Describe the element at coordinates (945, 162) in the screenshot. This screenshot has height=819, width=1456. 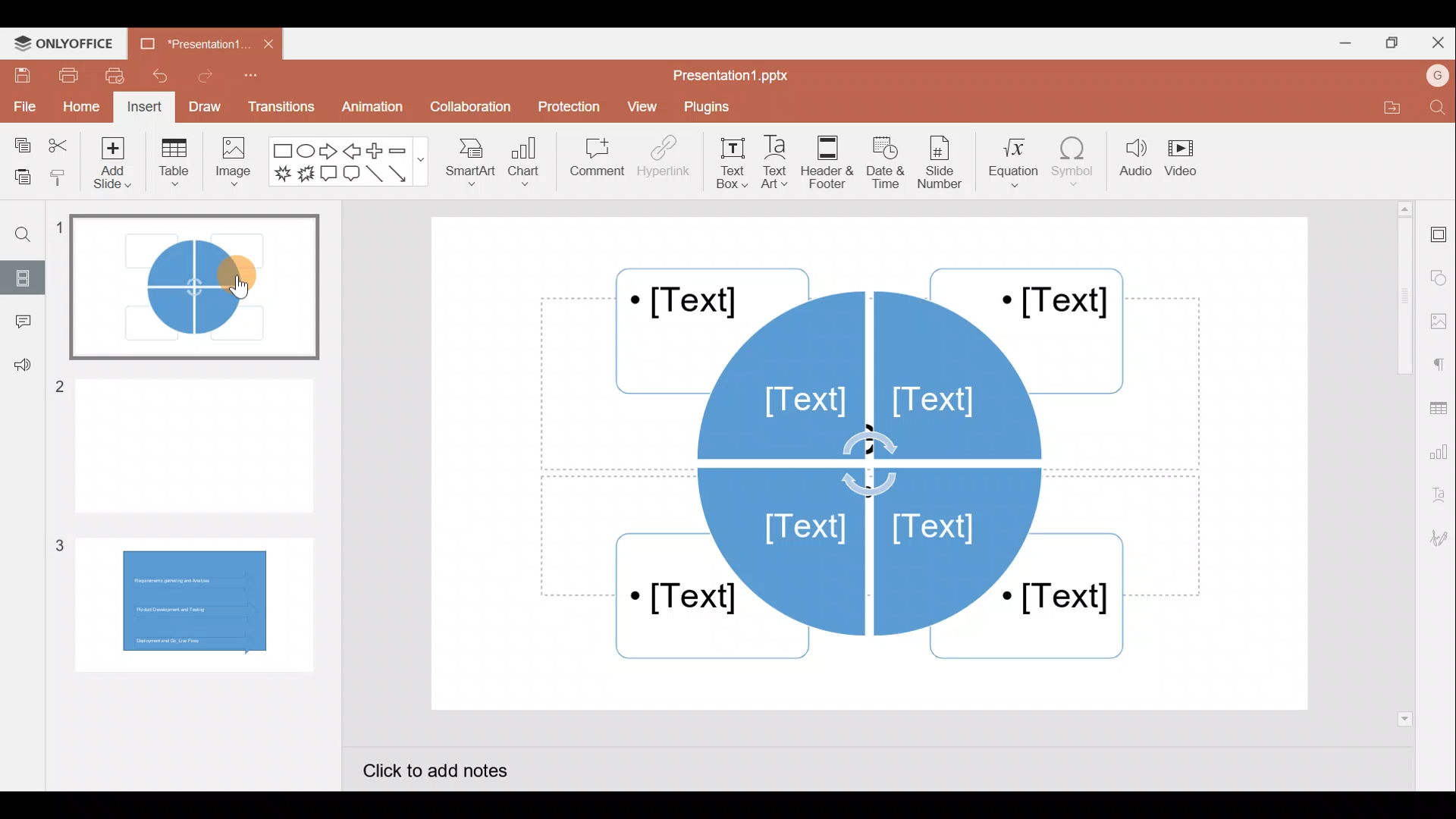
I see `Slide number` at that location.